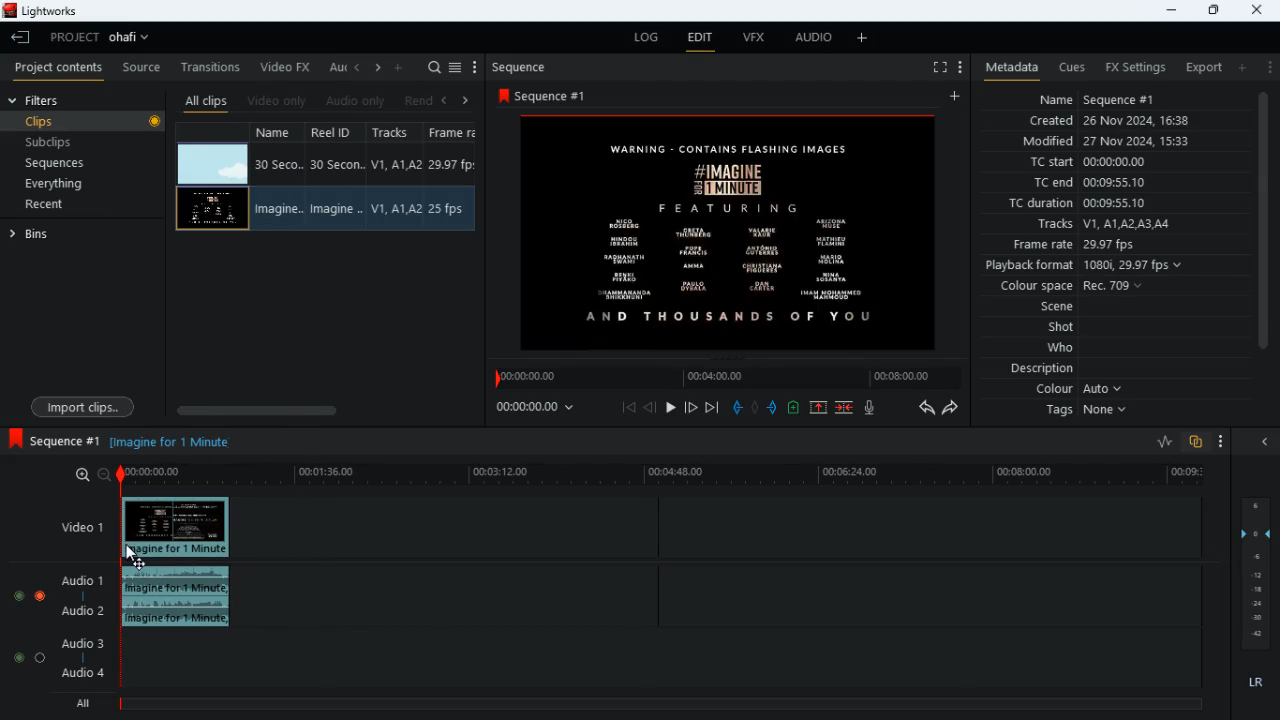 The image size is (1280, 720). I want to click on modified, so click(1106, 141).